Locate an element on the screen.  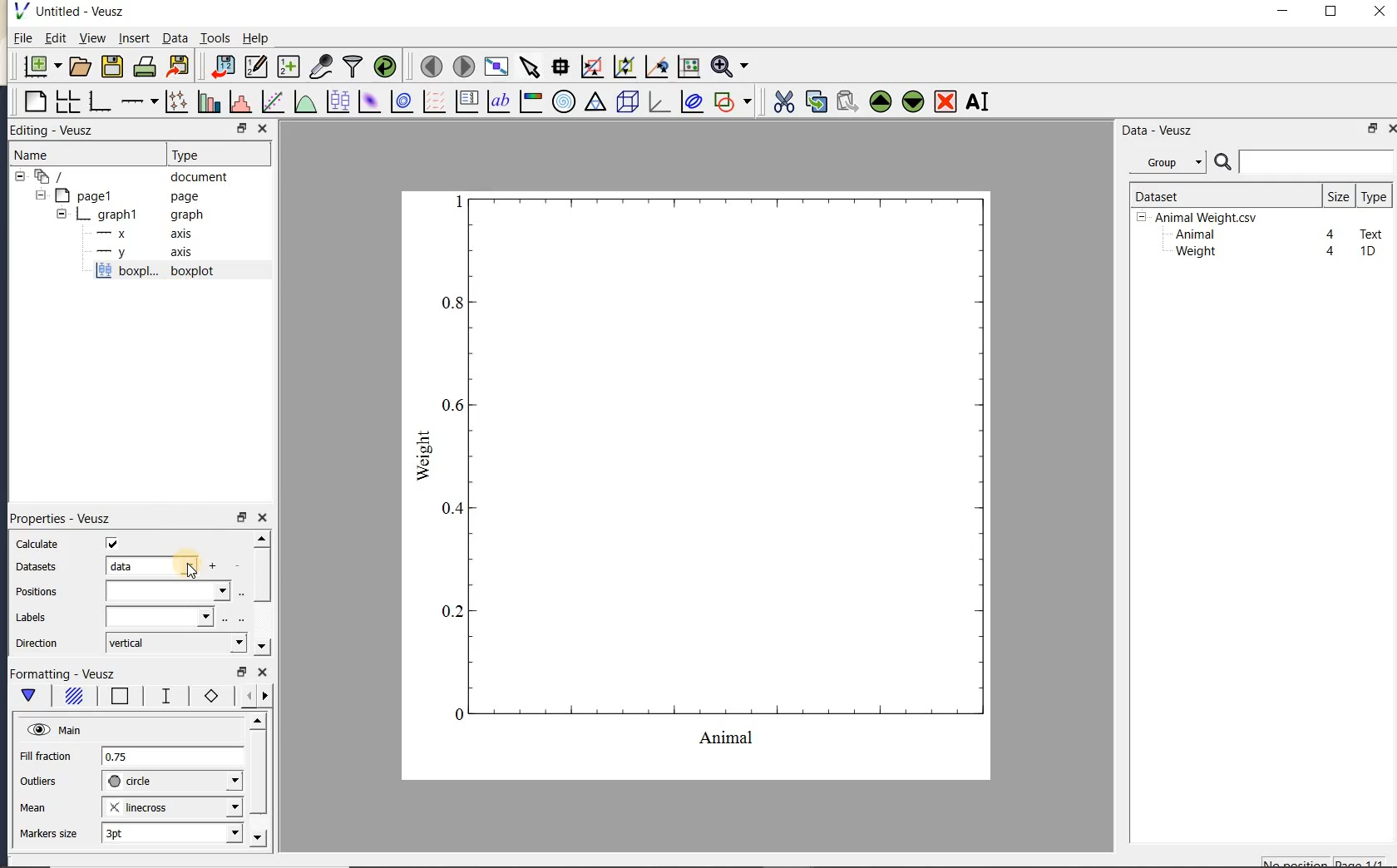
plot bar charts is located at coordinates (209, 101).